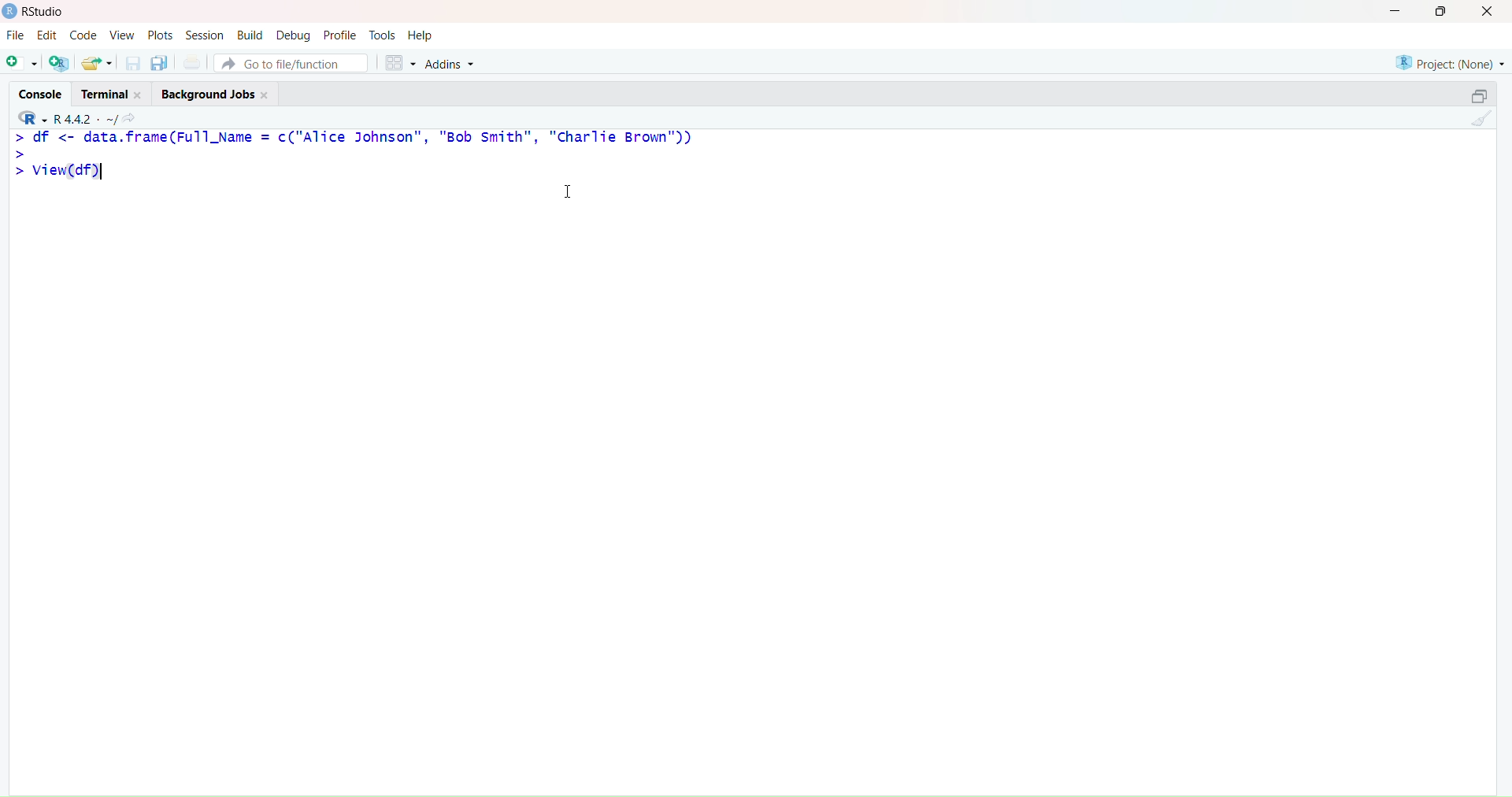 Image resolution: width=1512 pixels, height=797 pixels. I want to click on Code, so click(83, 36).